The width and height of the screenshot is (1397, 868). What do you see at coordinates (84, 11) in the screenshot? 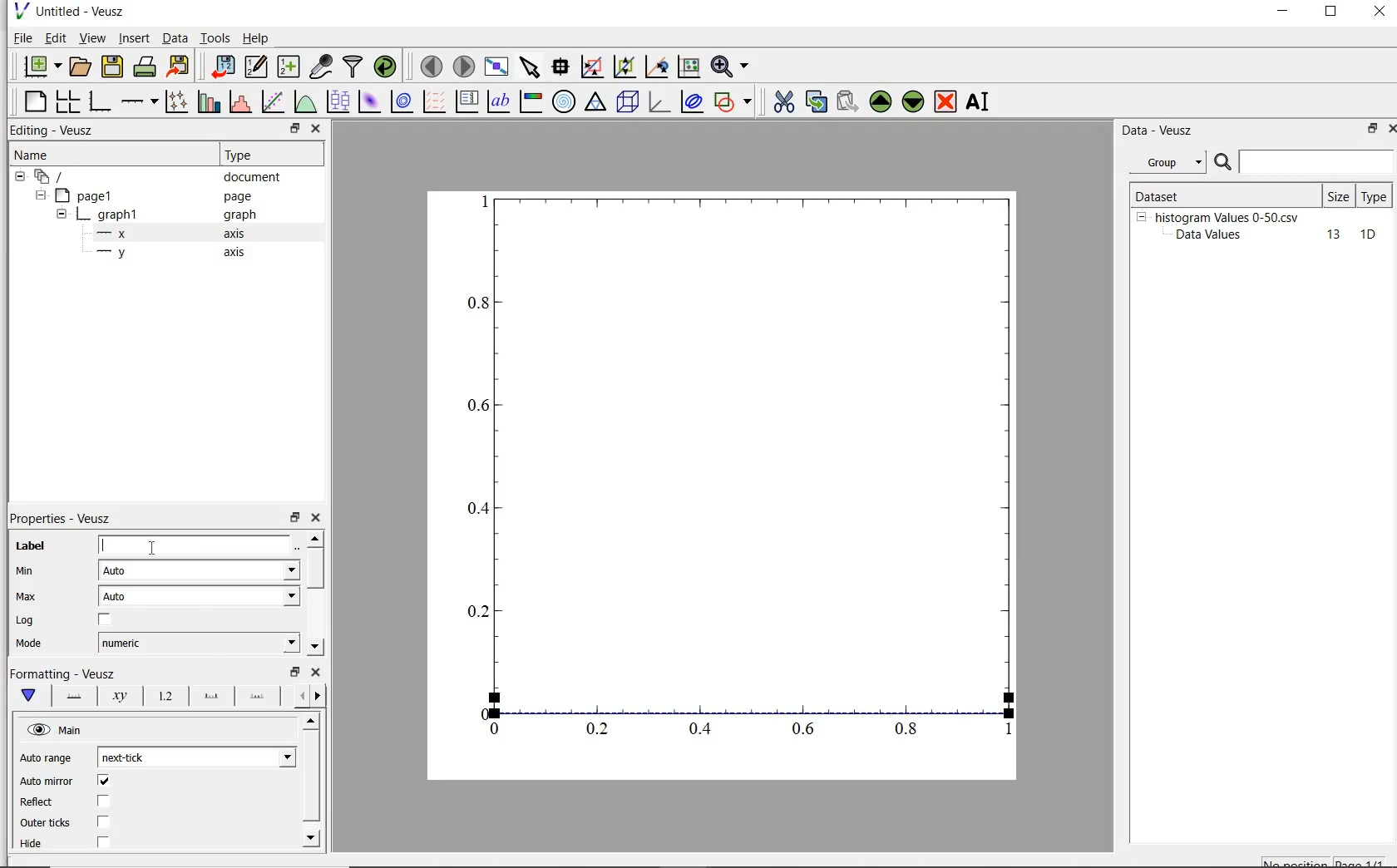
I see `Untitled - Veusz` at bounding box center [84, 11].